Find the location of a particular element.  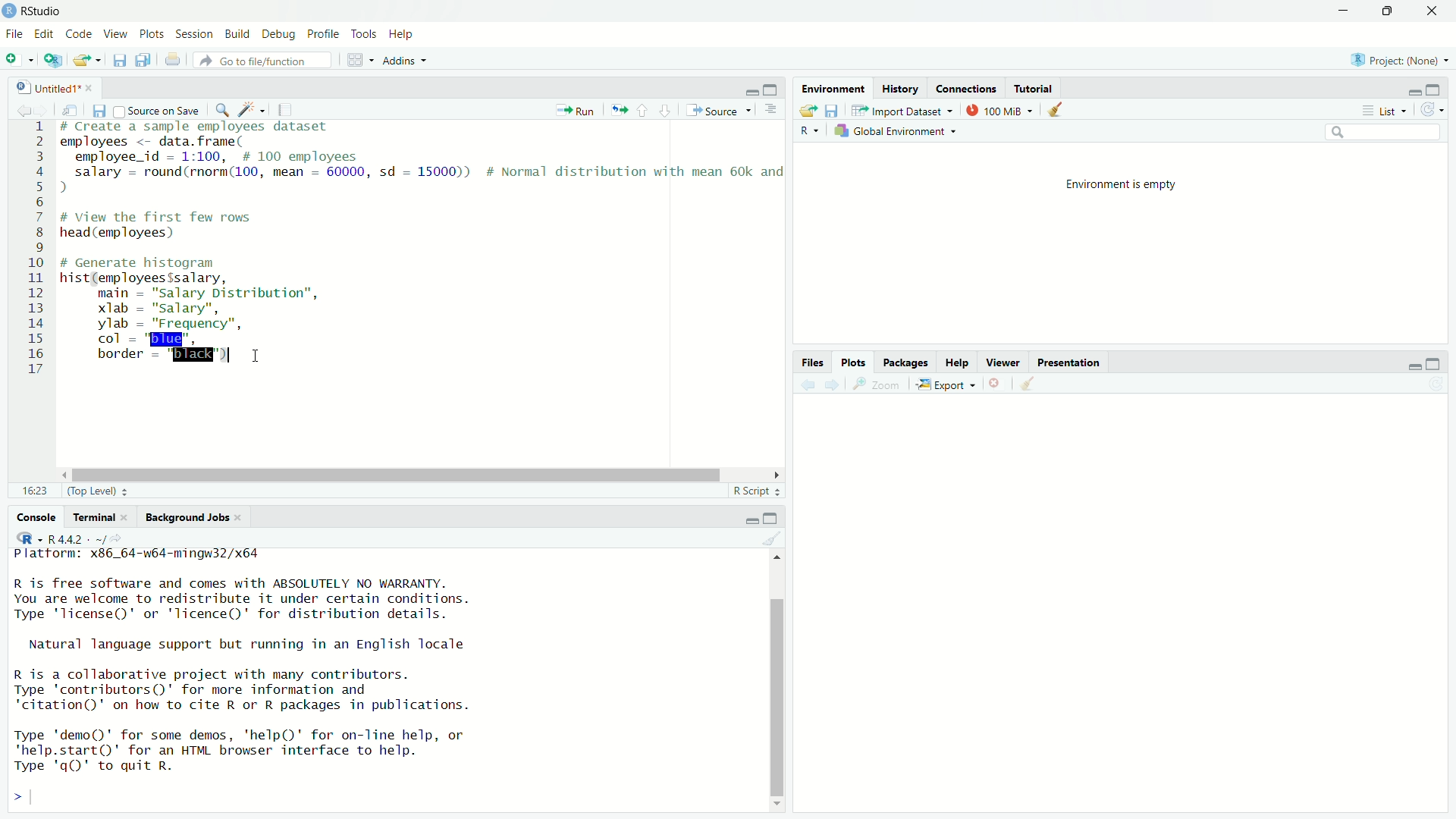

R- is located at coordinates (29, 538).